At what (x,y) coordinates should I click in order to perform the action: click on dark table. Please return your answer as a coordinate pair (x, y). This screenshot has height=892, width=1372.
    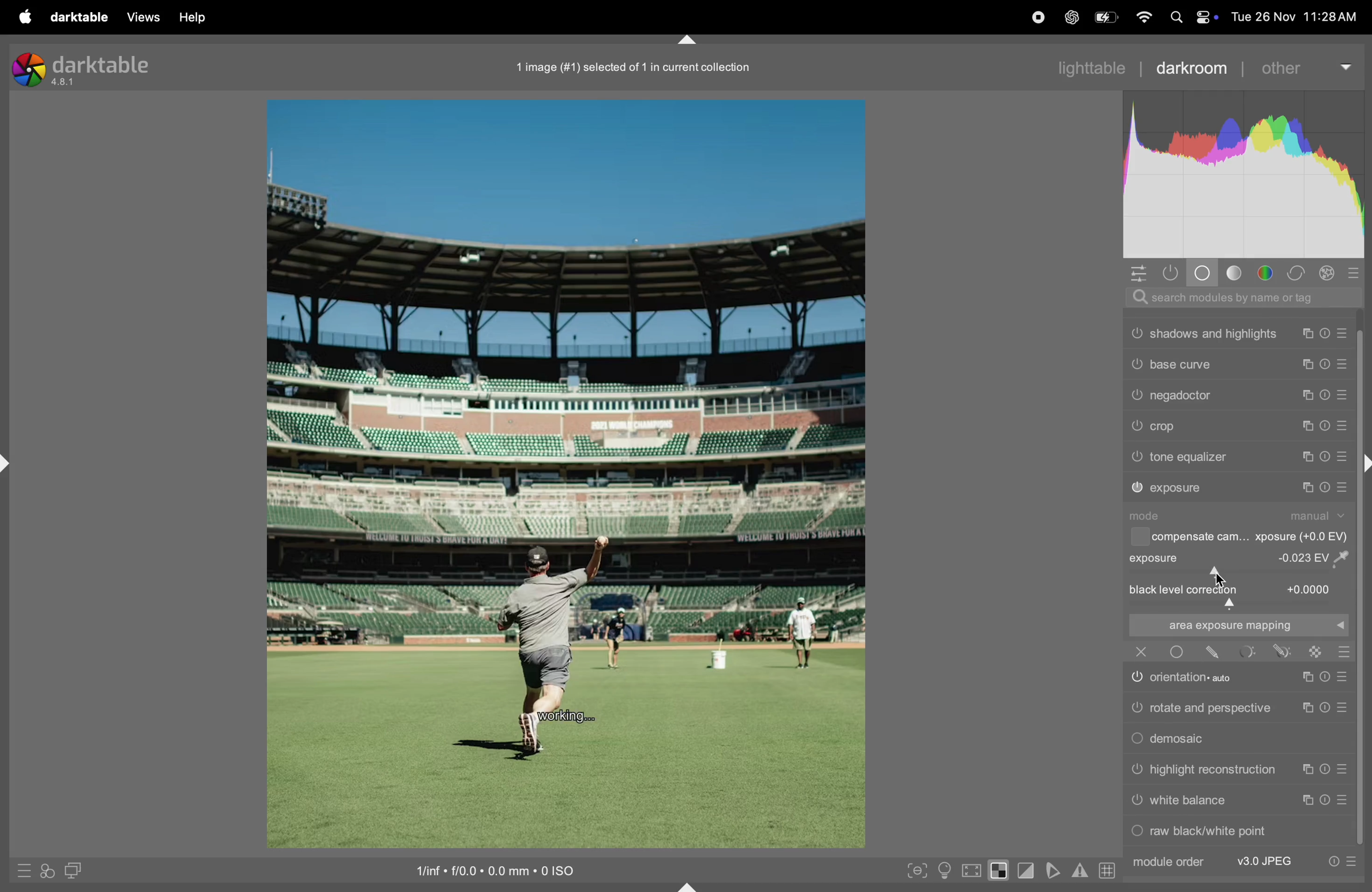
    Looking at the image, I should click on (77, 16).